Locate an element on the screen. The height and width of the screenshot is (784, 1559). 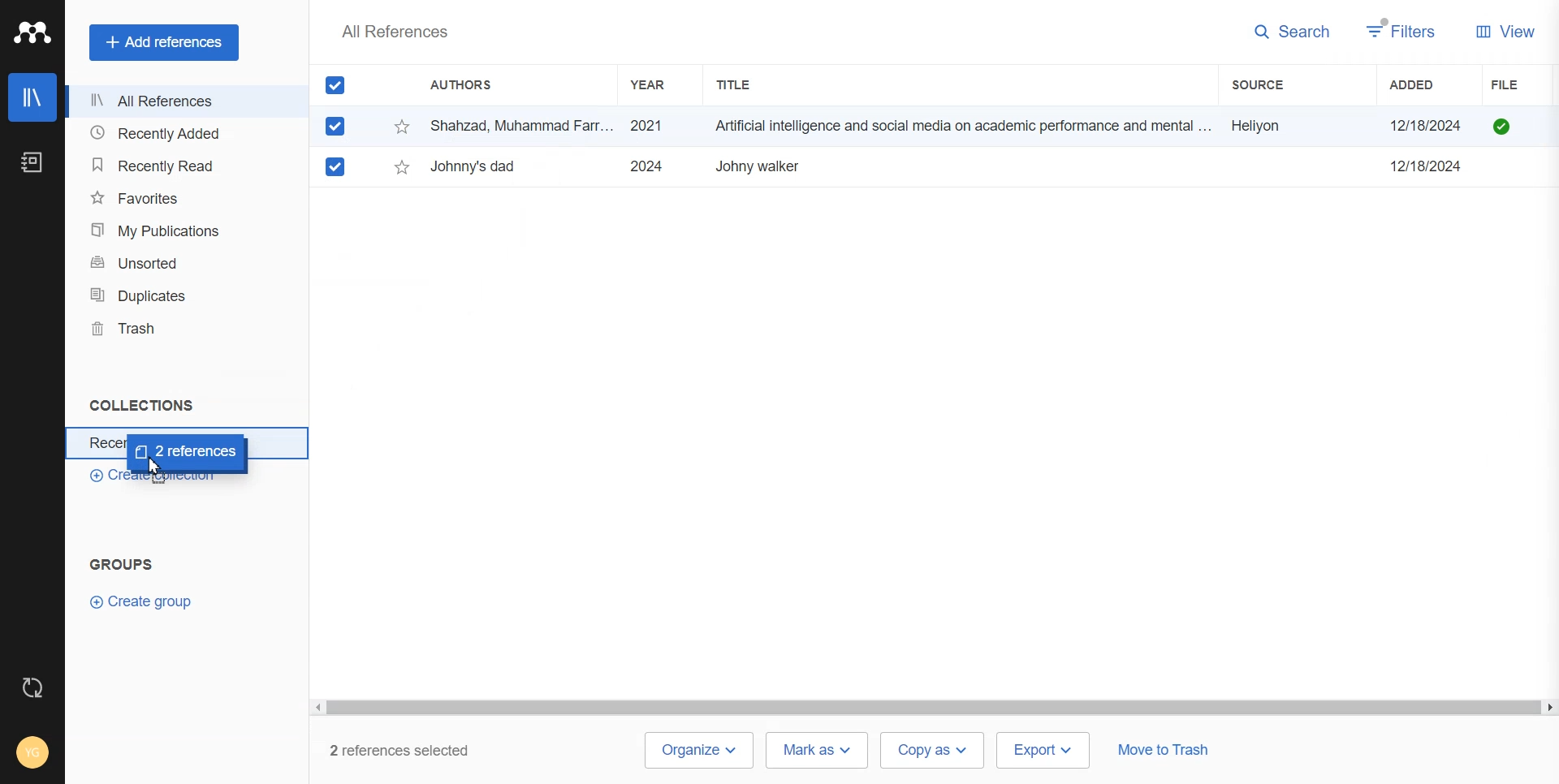
Favorites is located at coordinates (182, 196).